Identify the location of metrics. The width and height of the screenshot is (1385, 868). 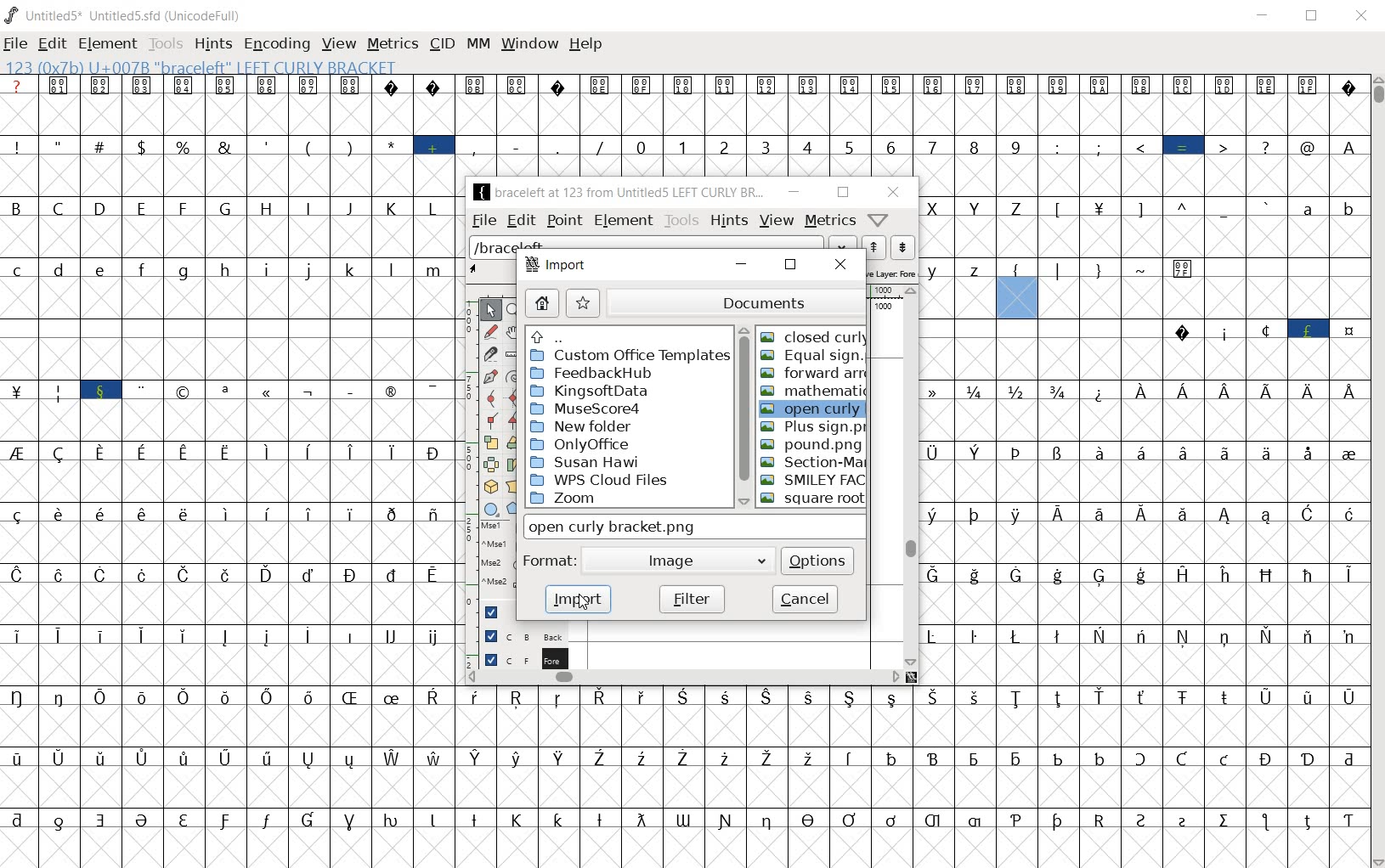
(829, 222).